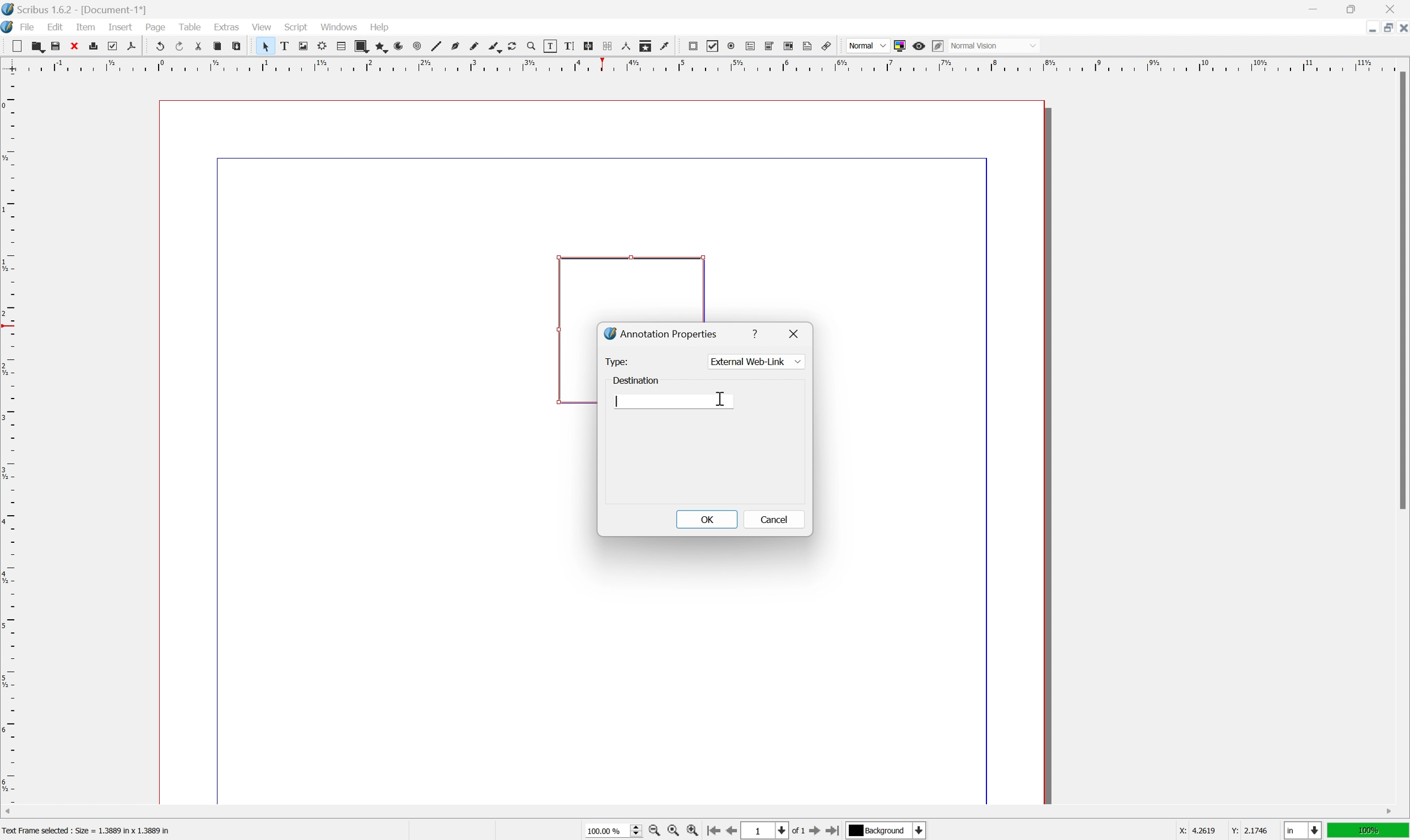  I want to click on pdf push button, so click(693, 46).